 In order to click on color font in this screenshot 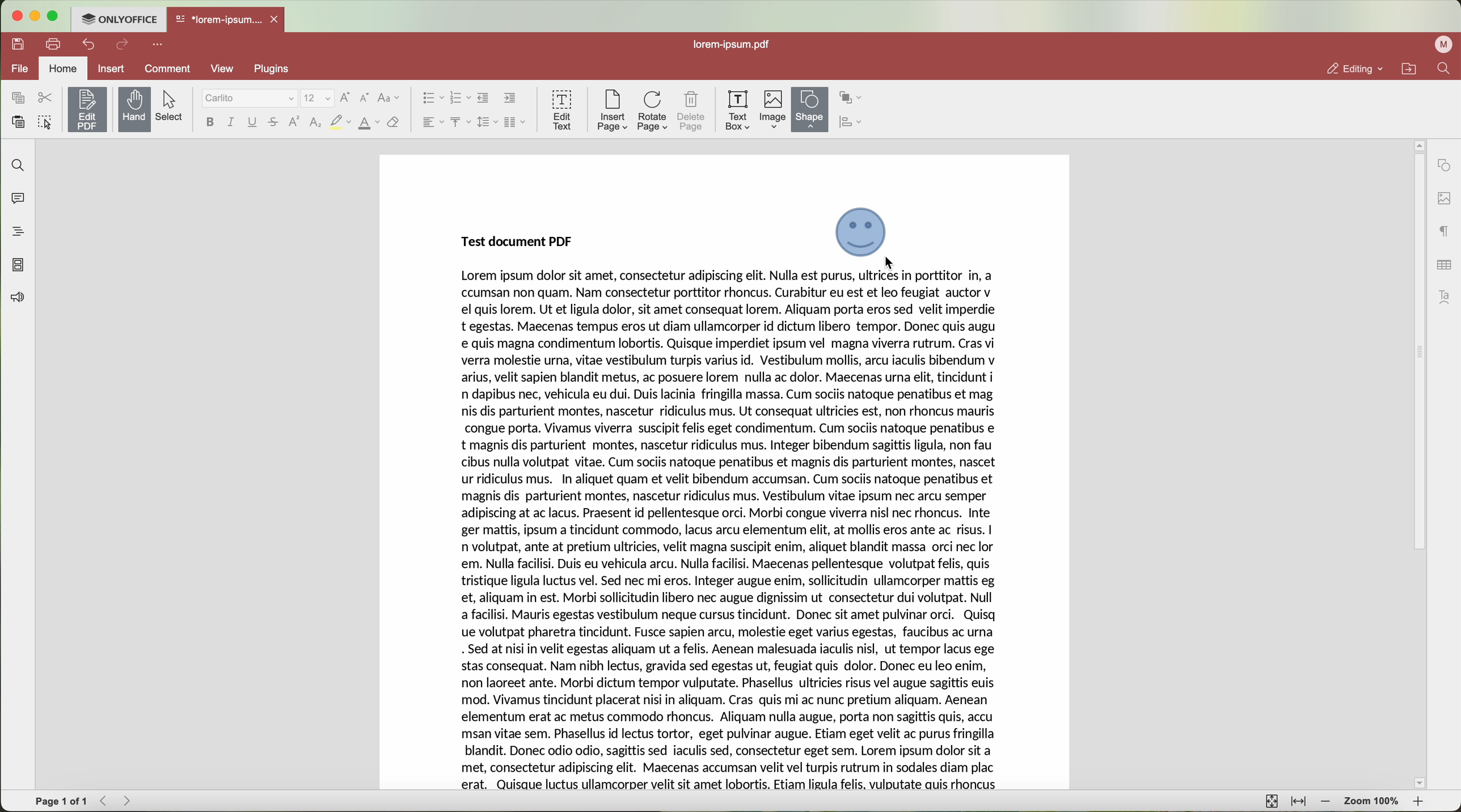, I will do `click(369, 123)`.